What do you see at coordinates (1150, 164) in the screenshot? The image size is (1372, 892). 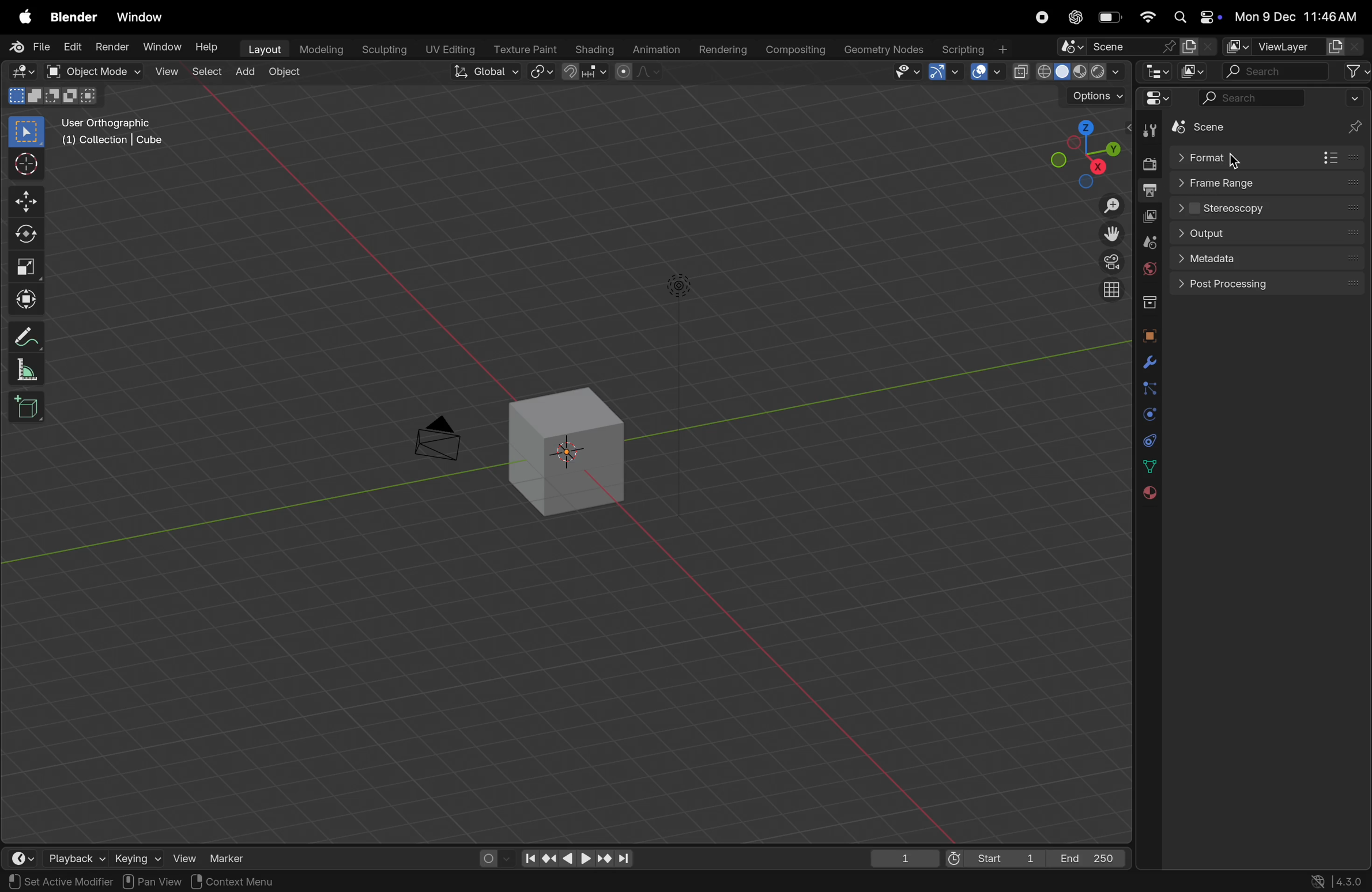 I see `render ` at bounding box center [1150, 164].